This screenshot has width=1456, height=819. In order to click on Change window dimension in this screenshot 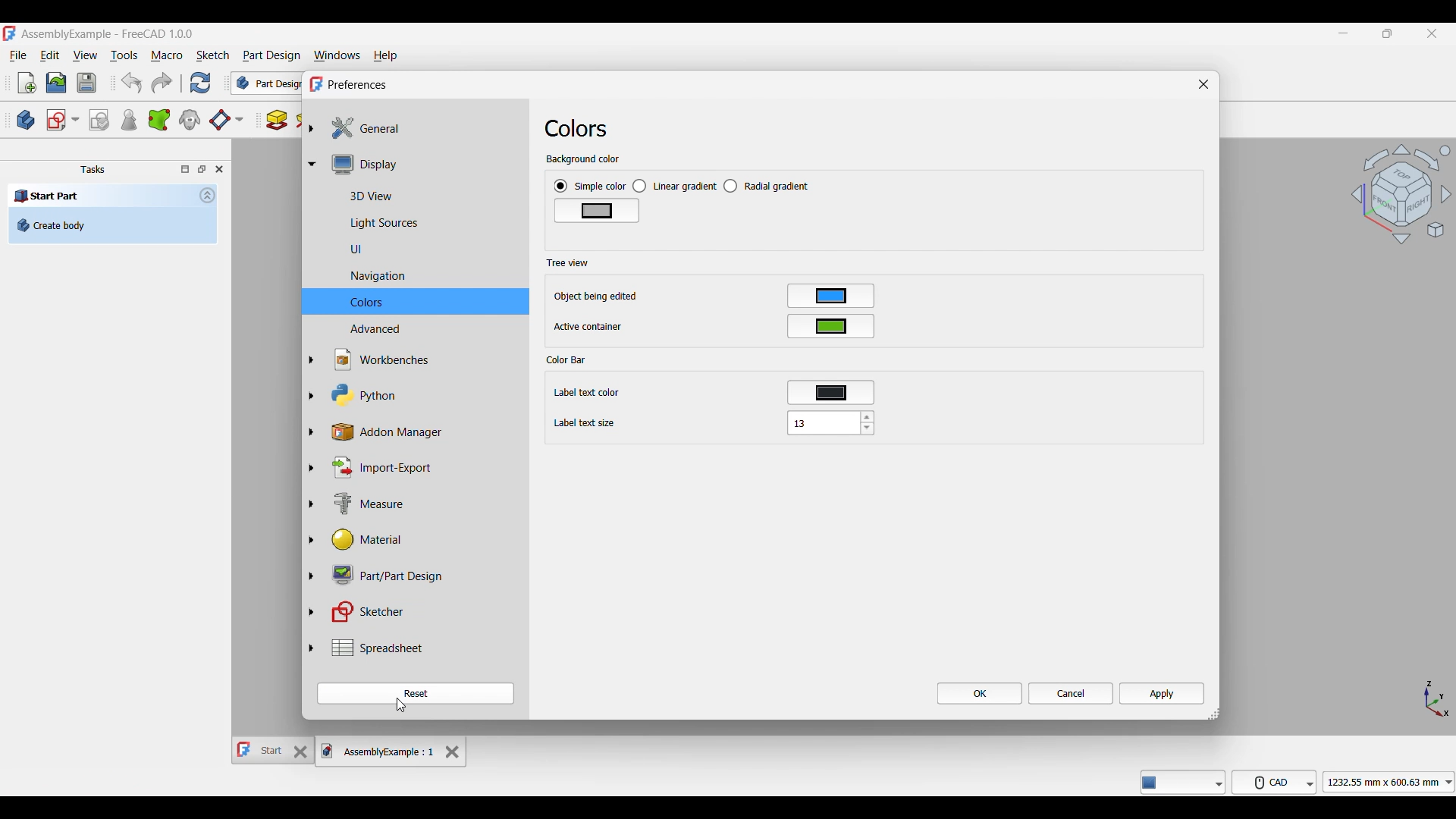, I will do `click(1214, 714)`.